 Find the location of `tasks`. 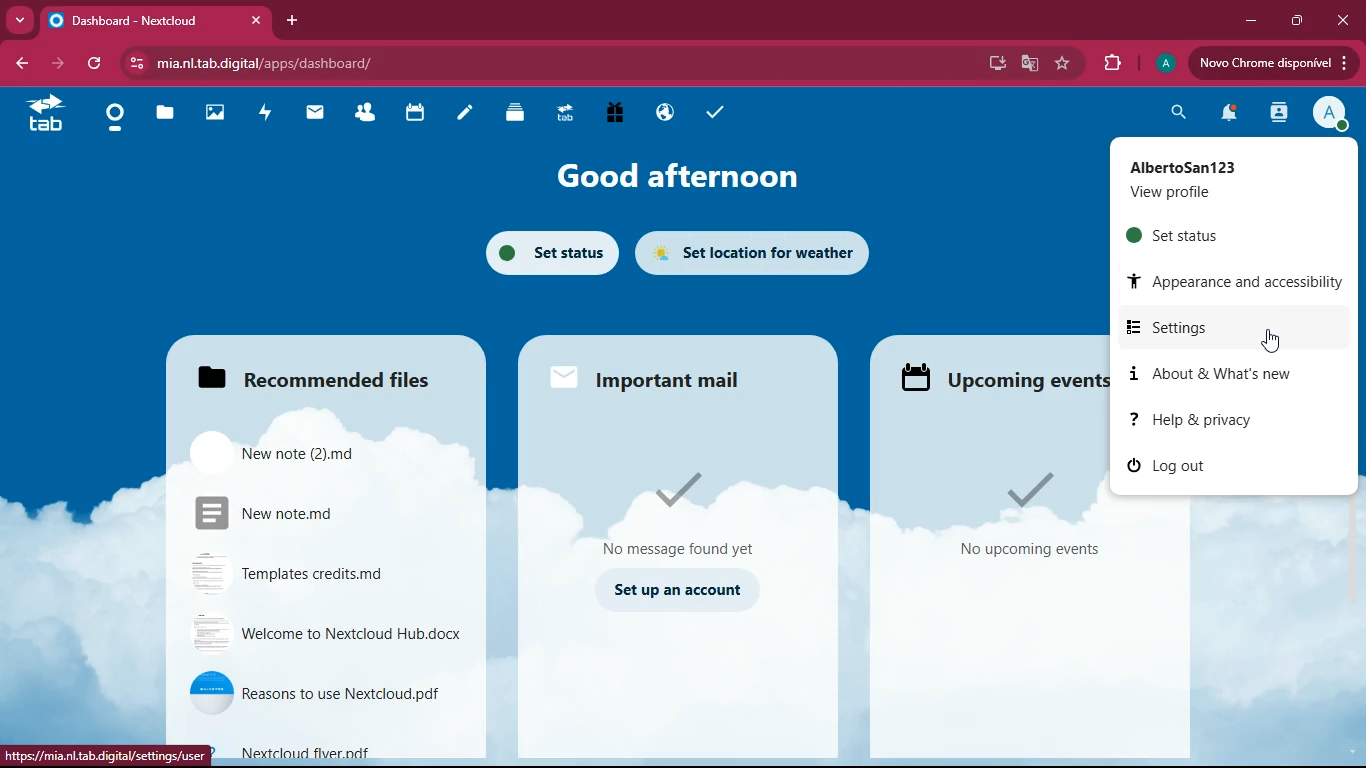

tasks is located at coordinates (709, 113).